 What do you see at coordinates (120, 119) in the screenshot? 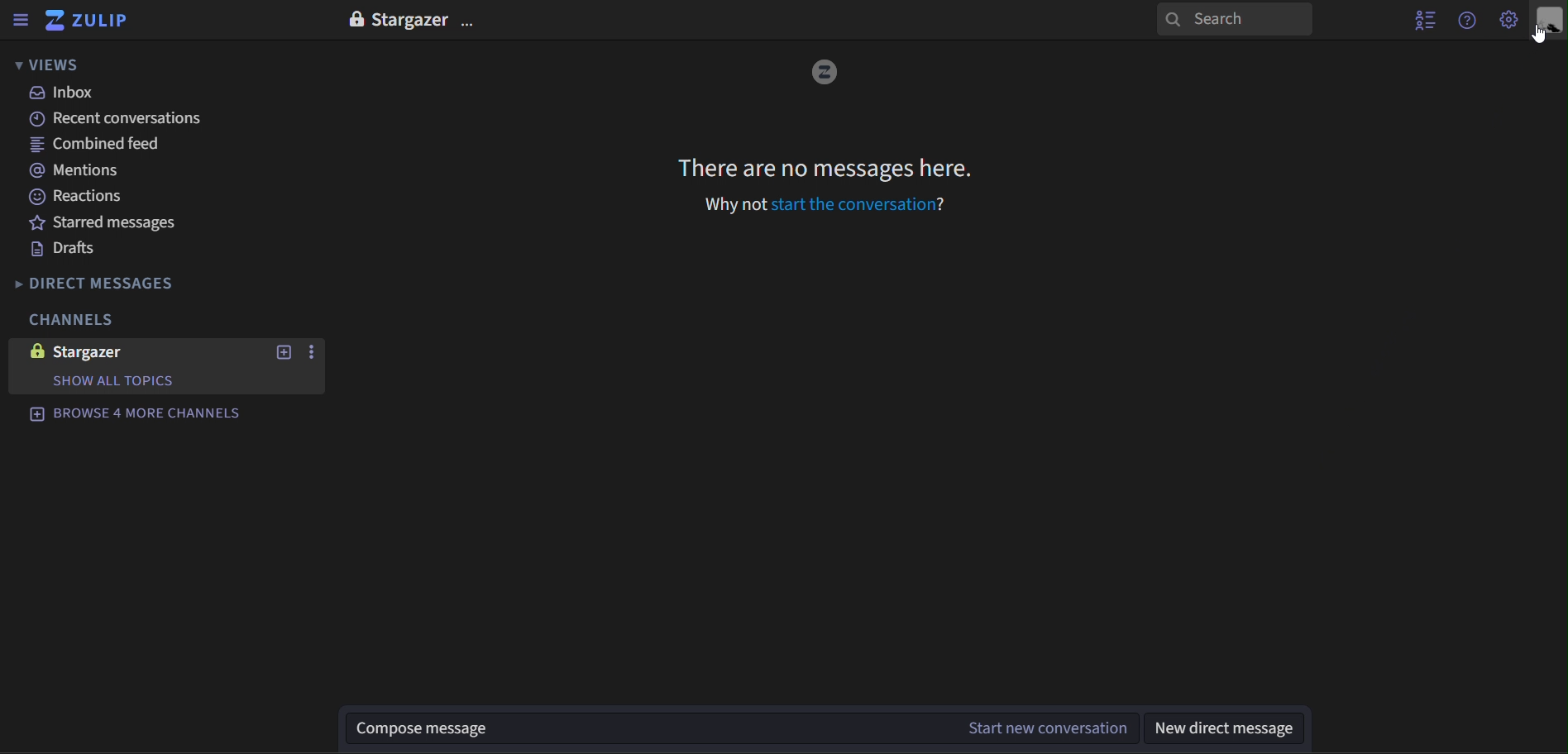
I see `recent conversations` at bounding box center [120, 119].